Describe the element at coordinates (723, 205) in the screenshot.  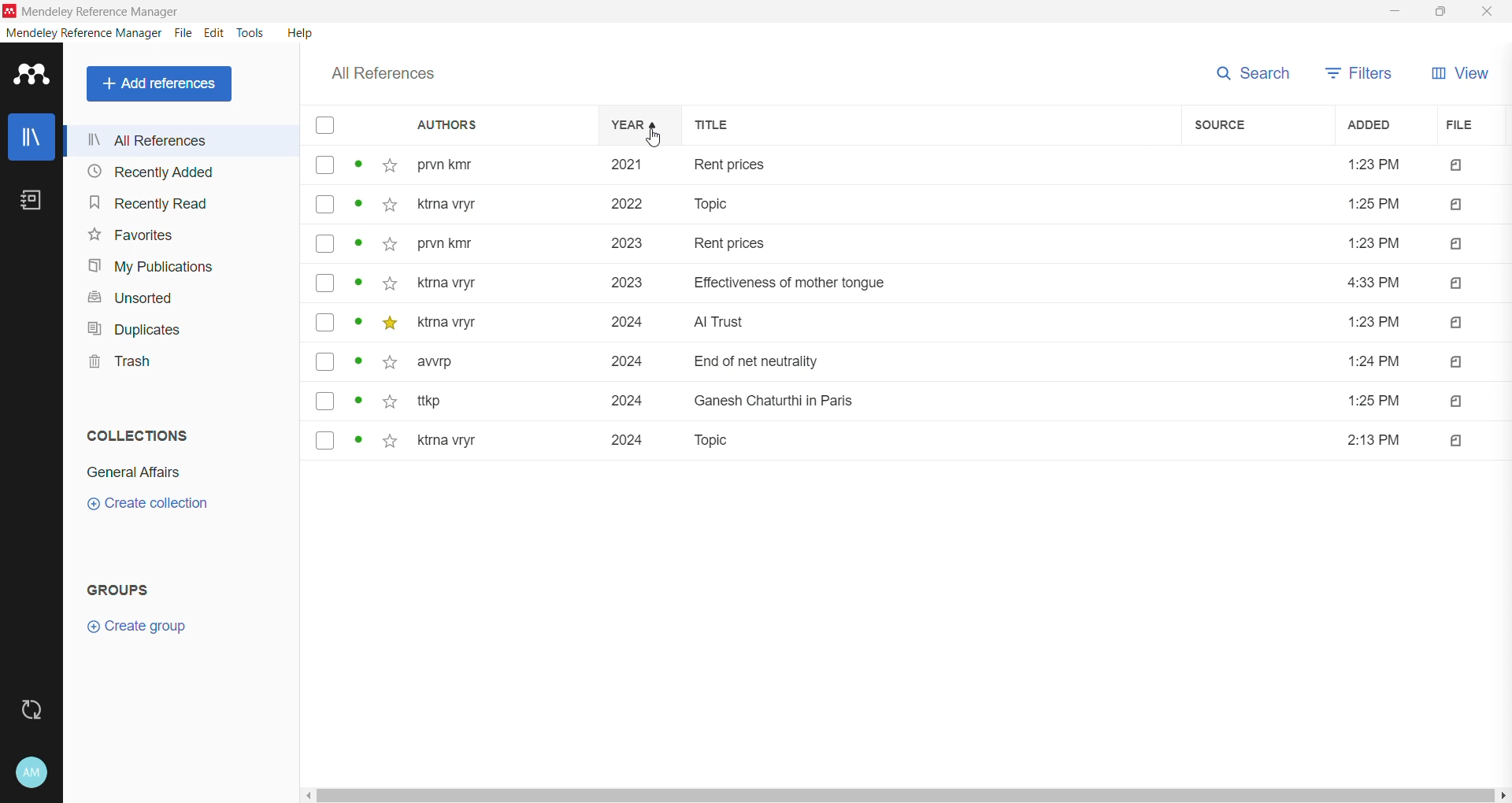
I see `topic` at that location.